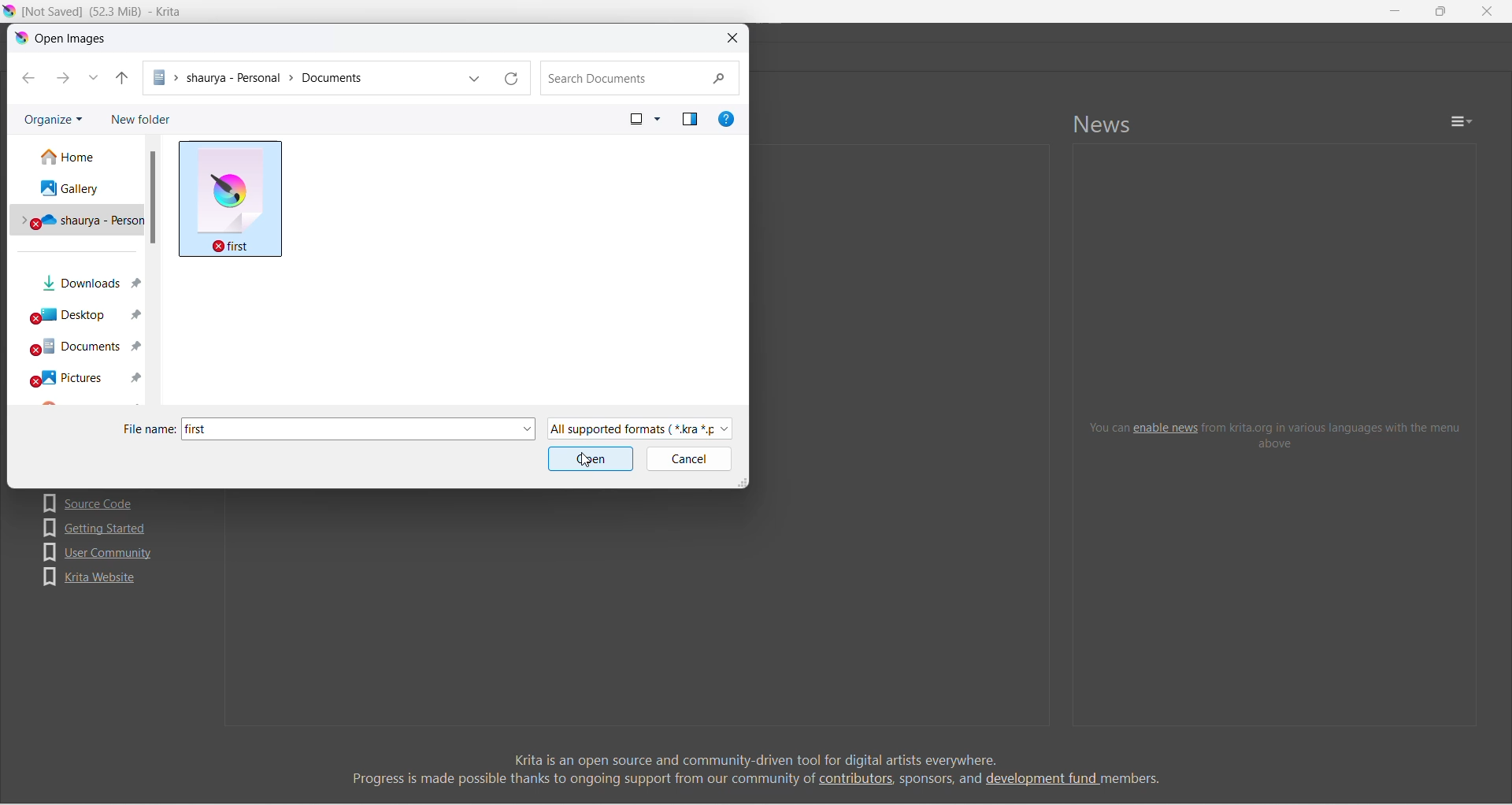  I want to click on recent location, so click(94, 78).